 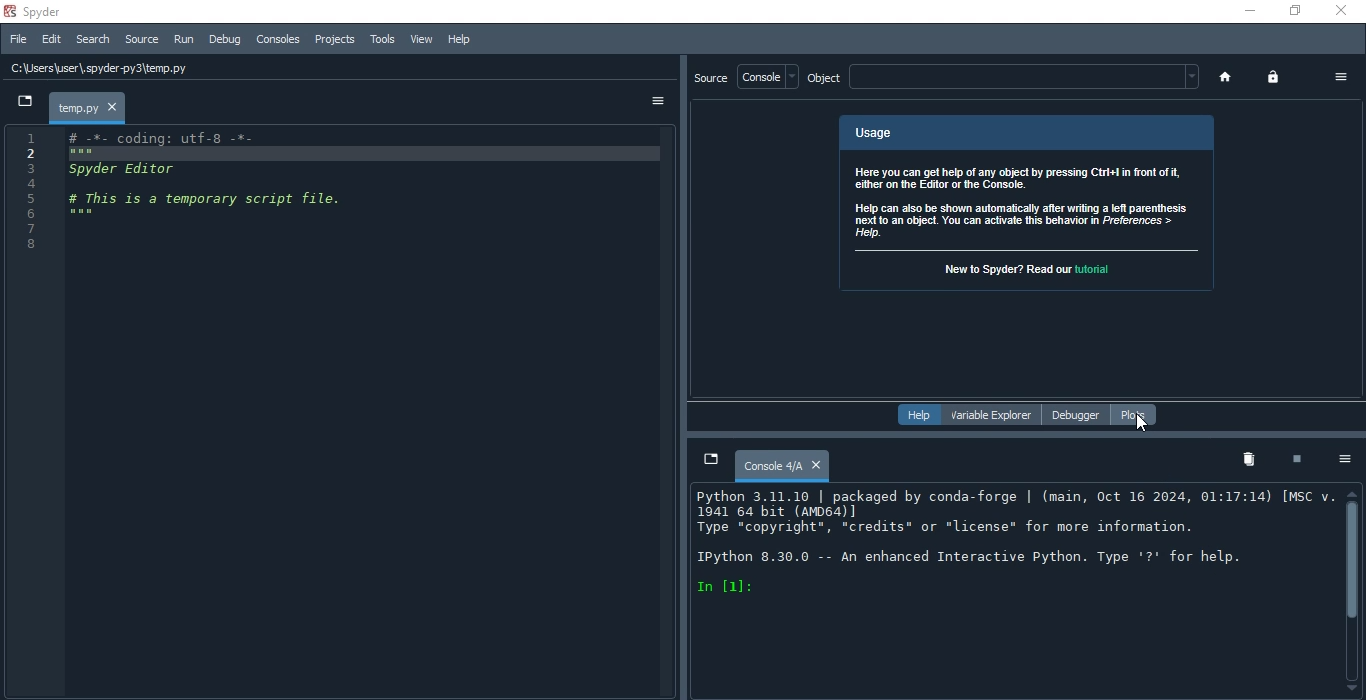 I want to click on lock, so click(x=1273, y=76).